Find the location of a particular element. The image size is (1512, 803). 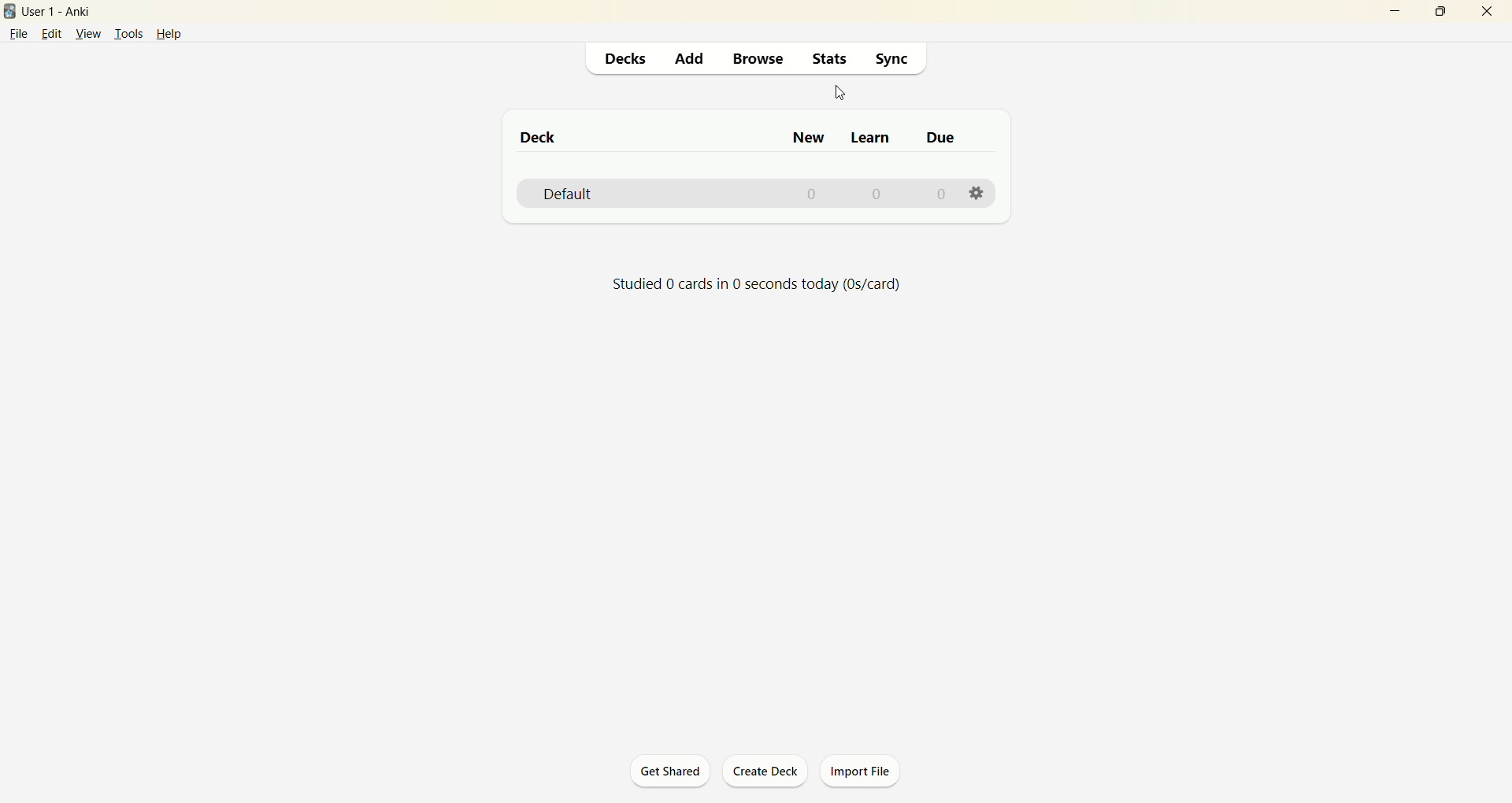

sync is located at coordinates (889, 58).